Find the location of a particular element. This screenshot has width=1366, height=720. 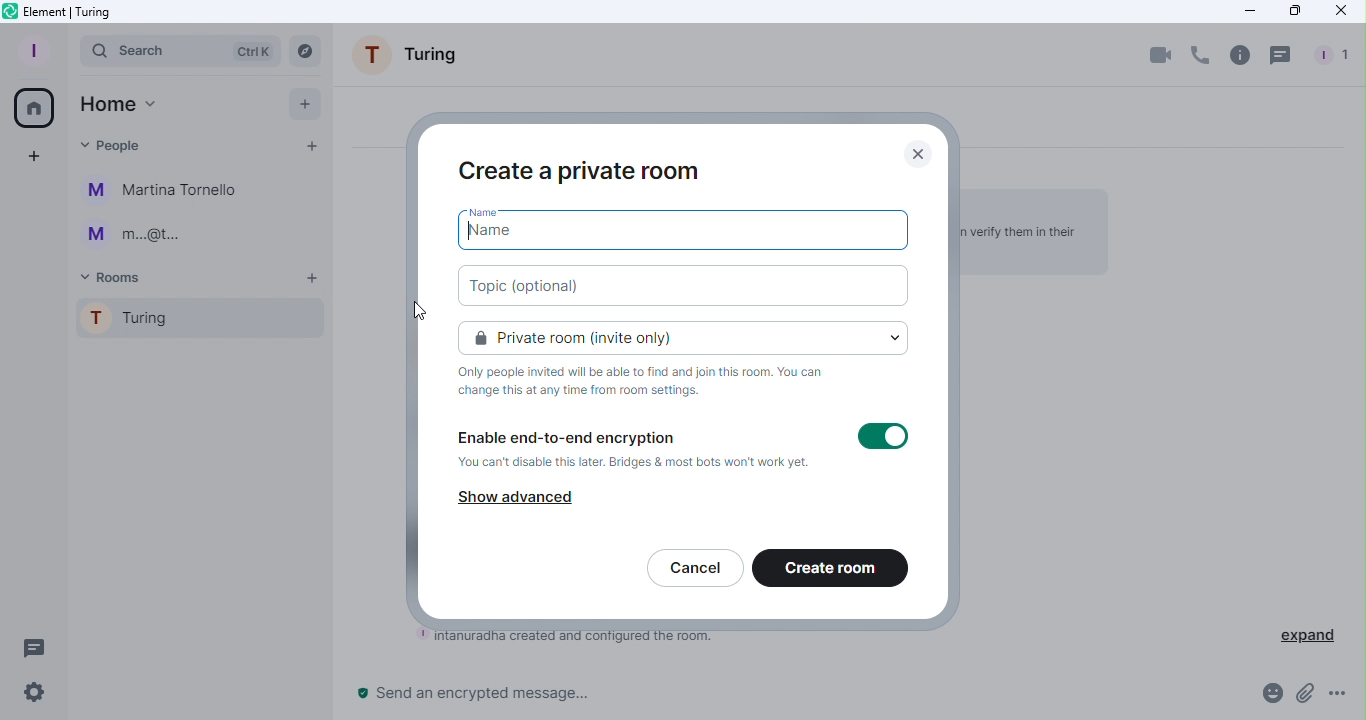

Private room is located at coordinates (688, 336).